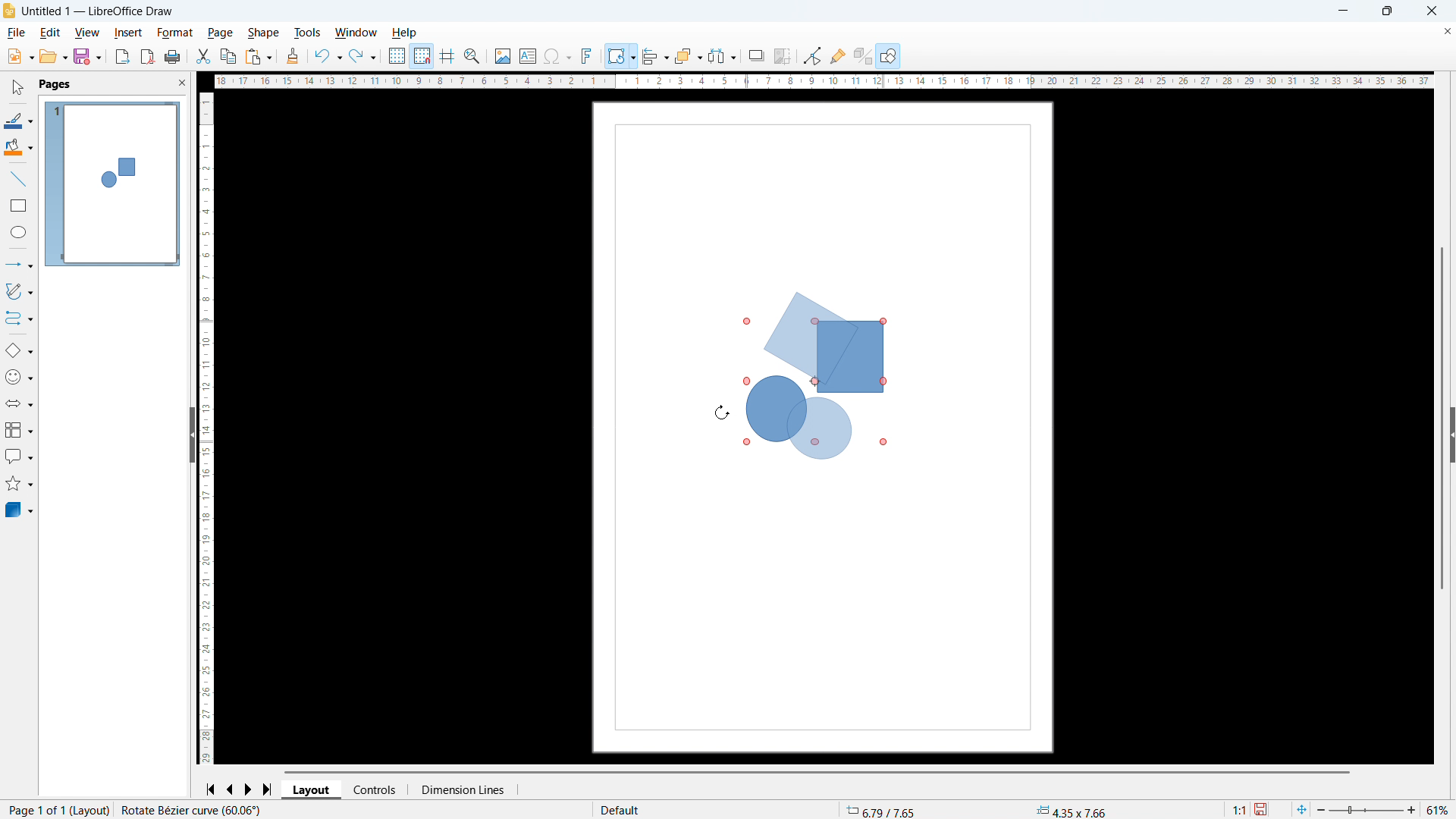  Describe the element at coordinates (1301, 810) in the screenshot. I see `Fit to page ` at that location.